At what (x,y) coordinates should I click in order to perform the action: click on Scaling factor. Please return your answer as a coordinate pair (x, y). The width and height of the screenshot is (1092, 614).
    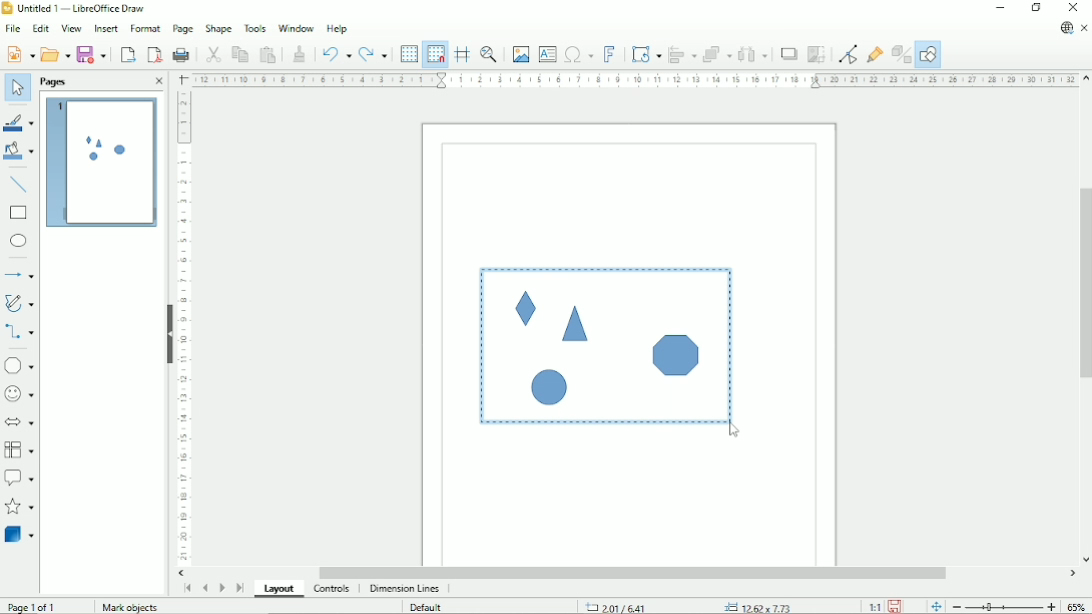
    Looking at the image, I should click on (874, 606).